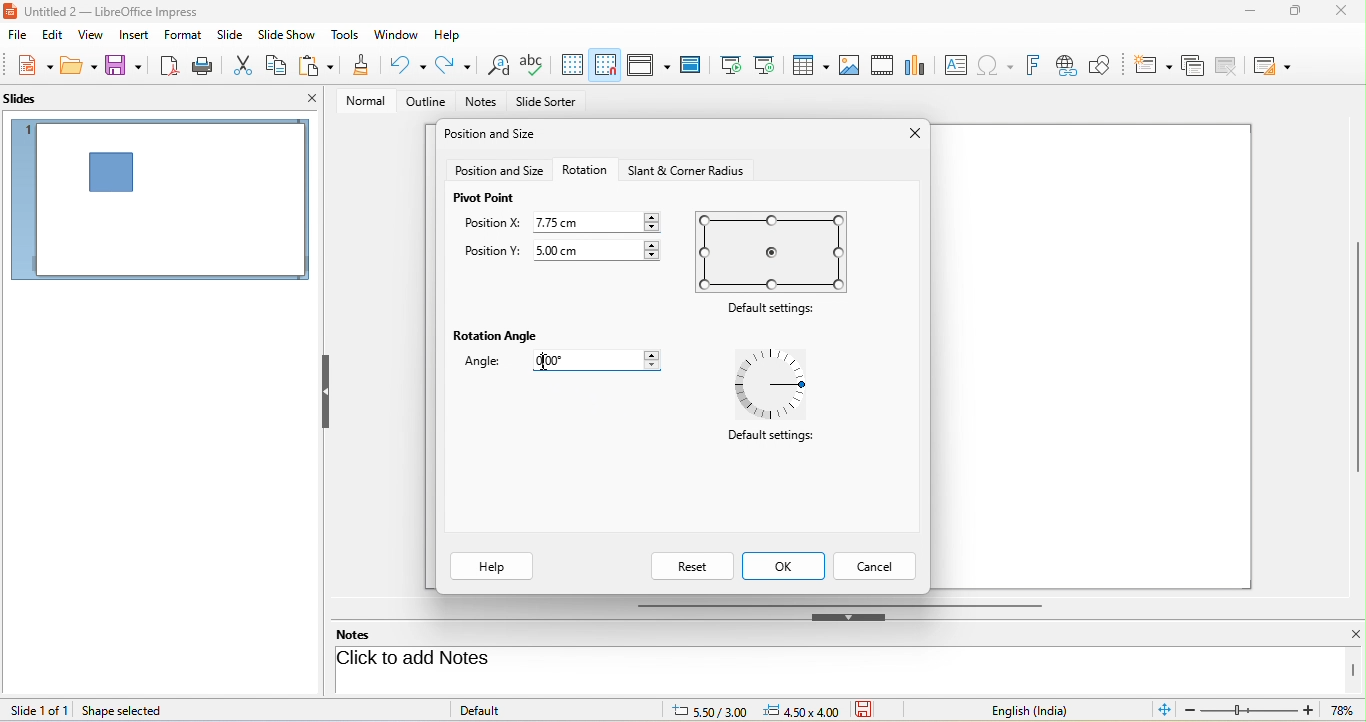 The width and height of the screenshot is (1366, 722). Describe the element at coordinates (498, 337) in the screenshot. I see `rotation angle` at that location.